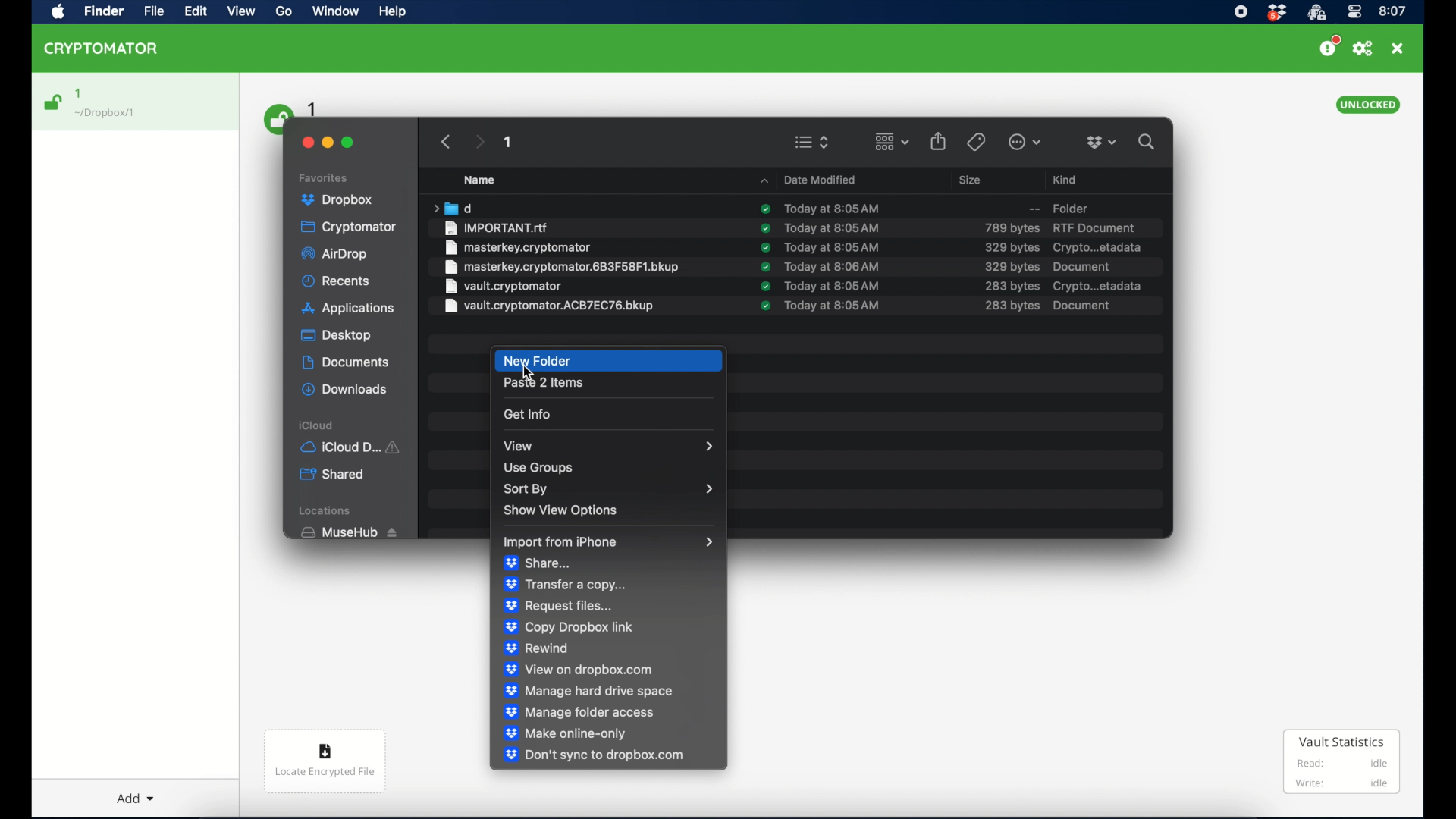 The image size is (1456, 819). I want to click on document, so click(1083, 266).